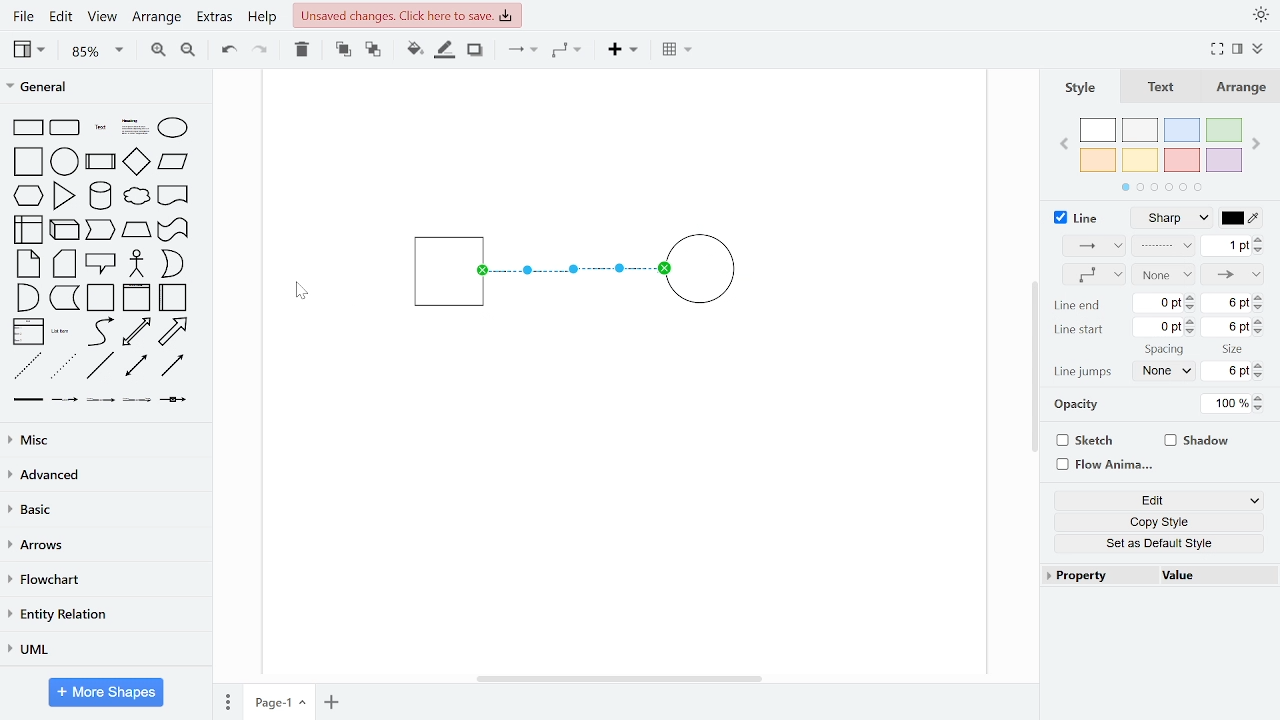 The image size is (1280, 720). What do you see at coordinates (30, 231) in the screenshot?
I see `internal storage` at bounding box center [30, 231].